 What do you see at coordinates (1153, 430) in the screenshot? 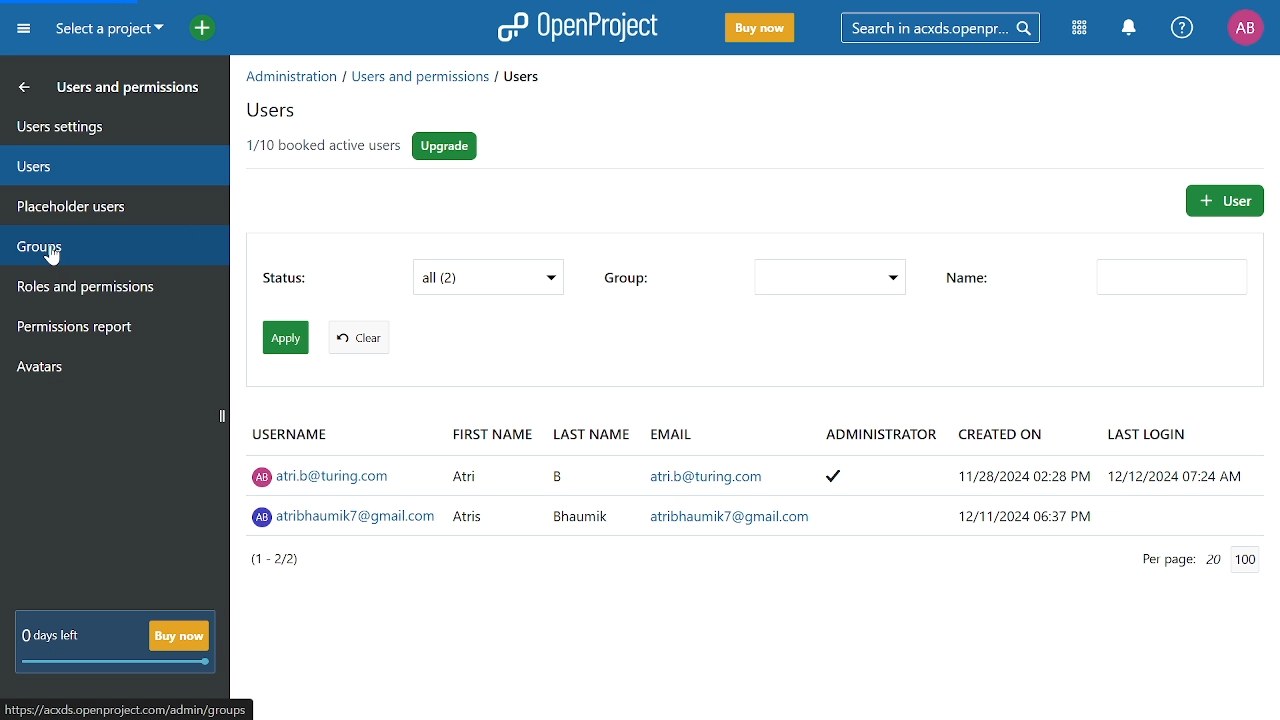
I see `last log in` at bounding box center [1153, 430].